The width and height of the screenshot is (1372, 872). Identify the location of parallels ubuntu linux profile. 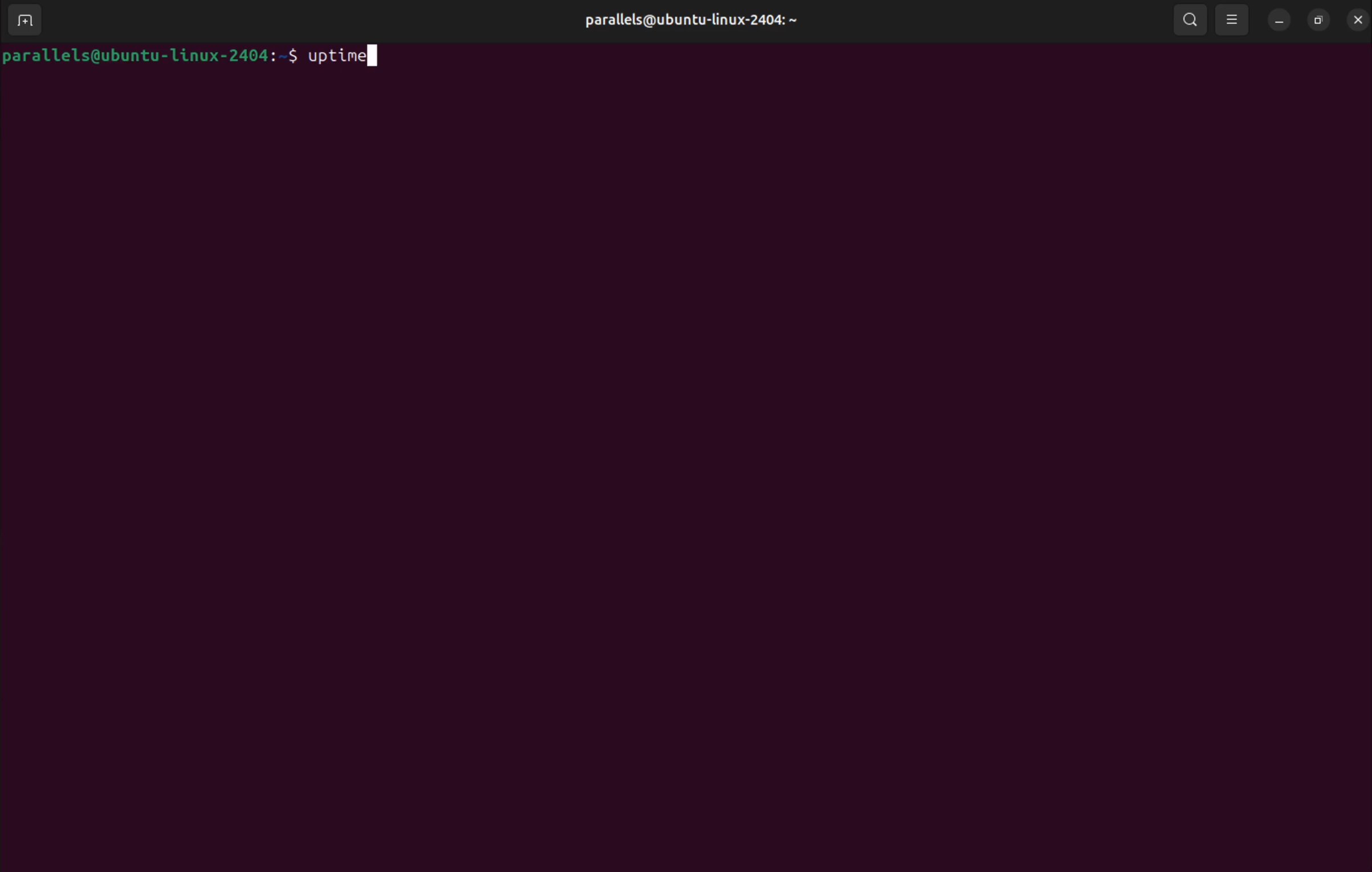
(687, 21).